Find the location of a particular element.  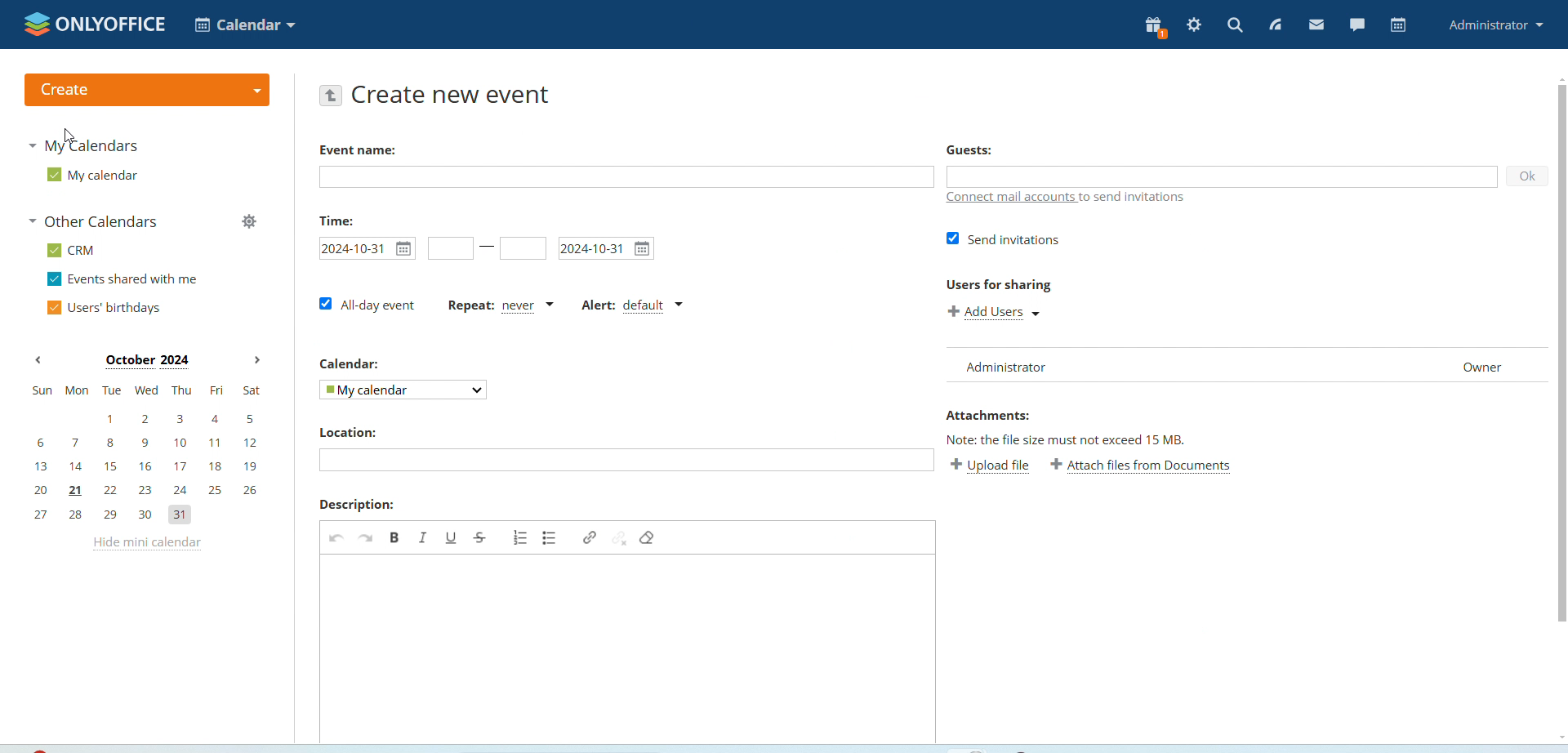

Users for sharing is located at coordinates (1000, 283).